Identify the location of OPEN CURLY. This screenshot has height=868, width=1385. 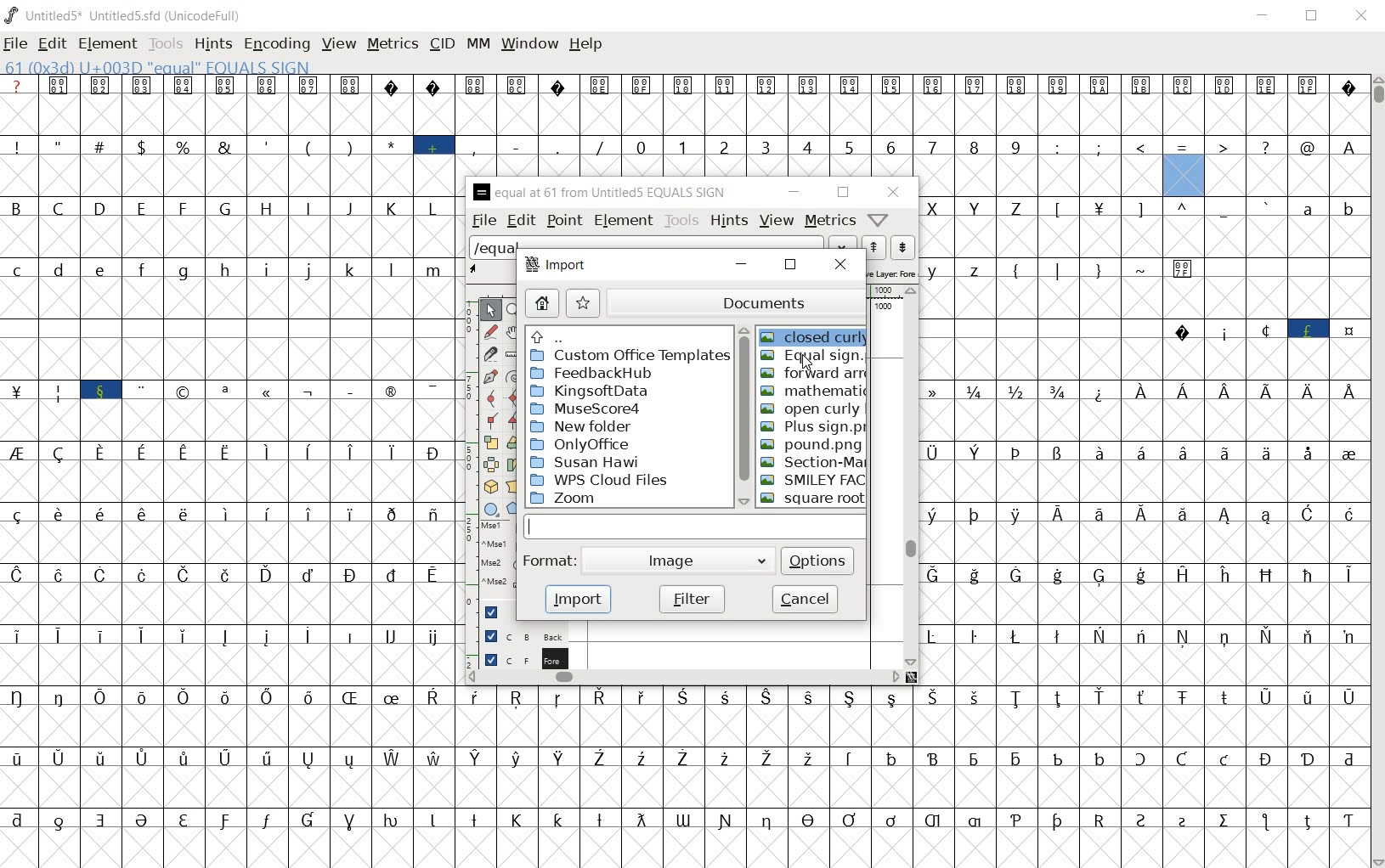
(814, 407).